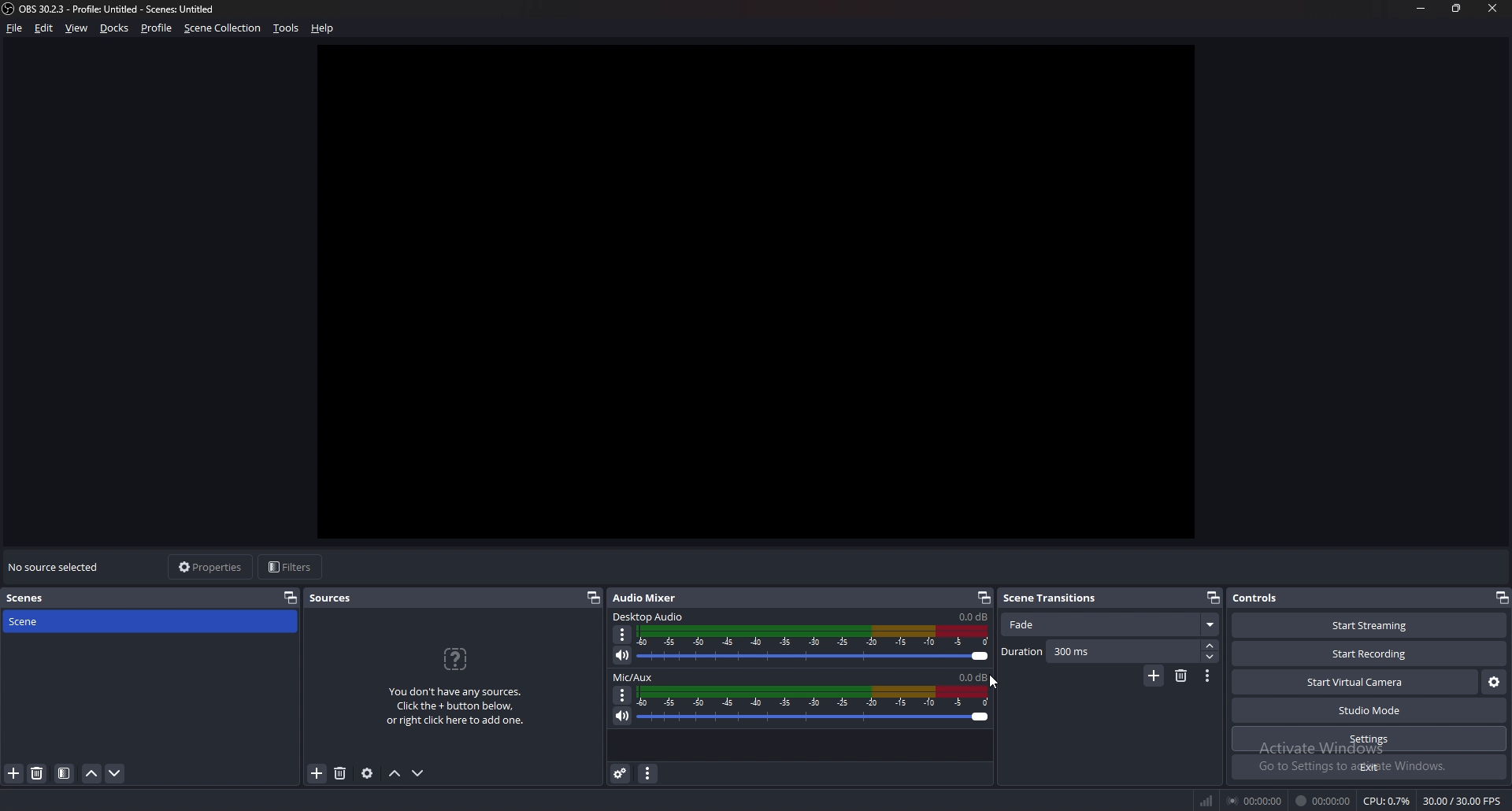 The image size is (1512, 811). I want to click on add source, so click(318, 772).